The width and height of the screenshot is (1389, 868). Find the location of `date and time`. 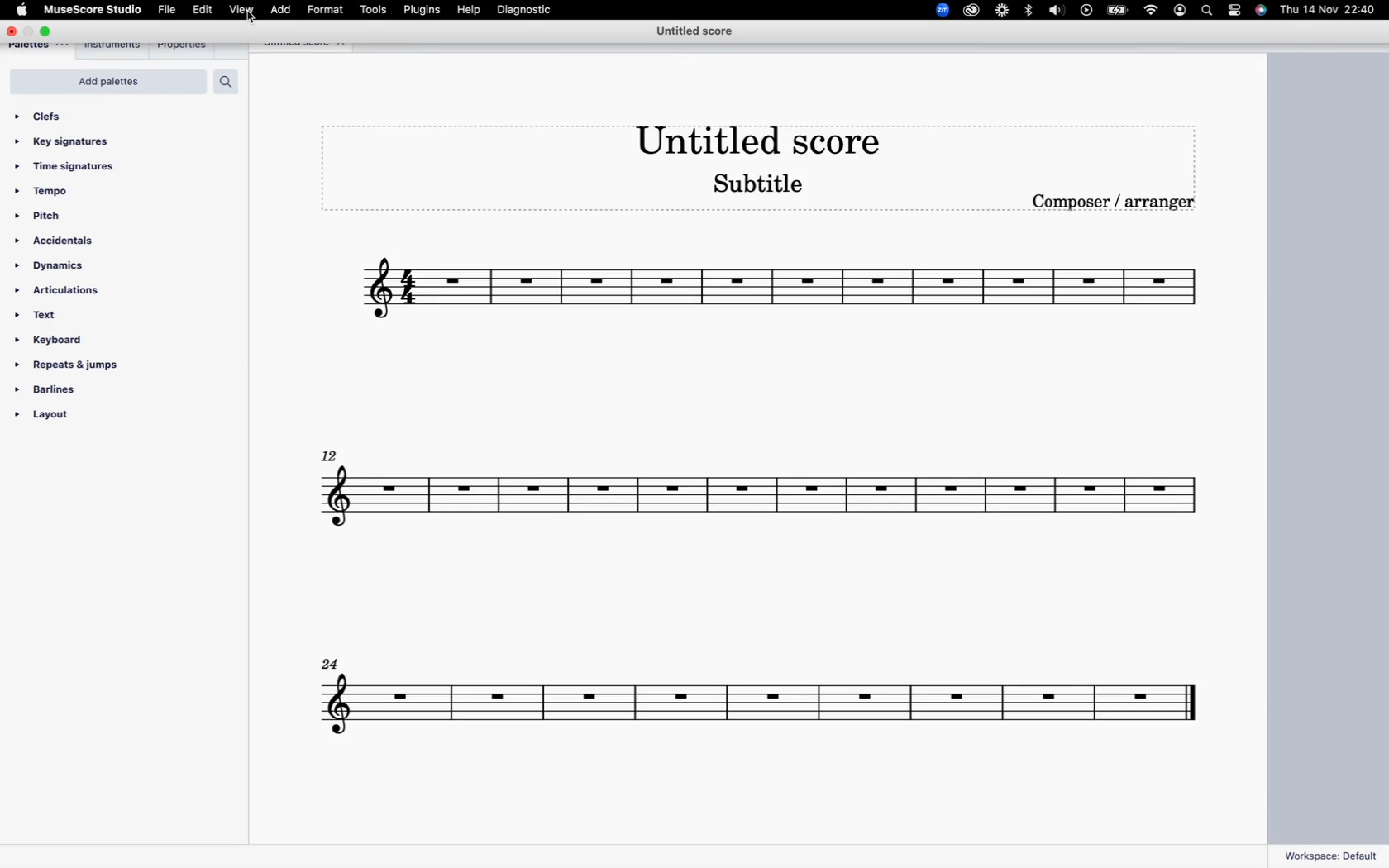

date and time is located at coordinates (1329, 11).